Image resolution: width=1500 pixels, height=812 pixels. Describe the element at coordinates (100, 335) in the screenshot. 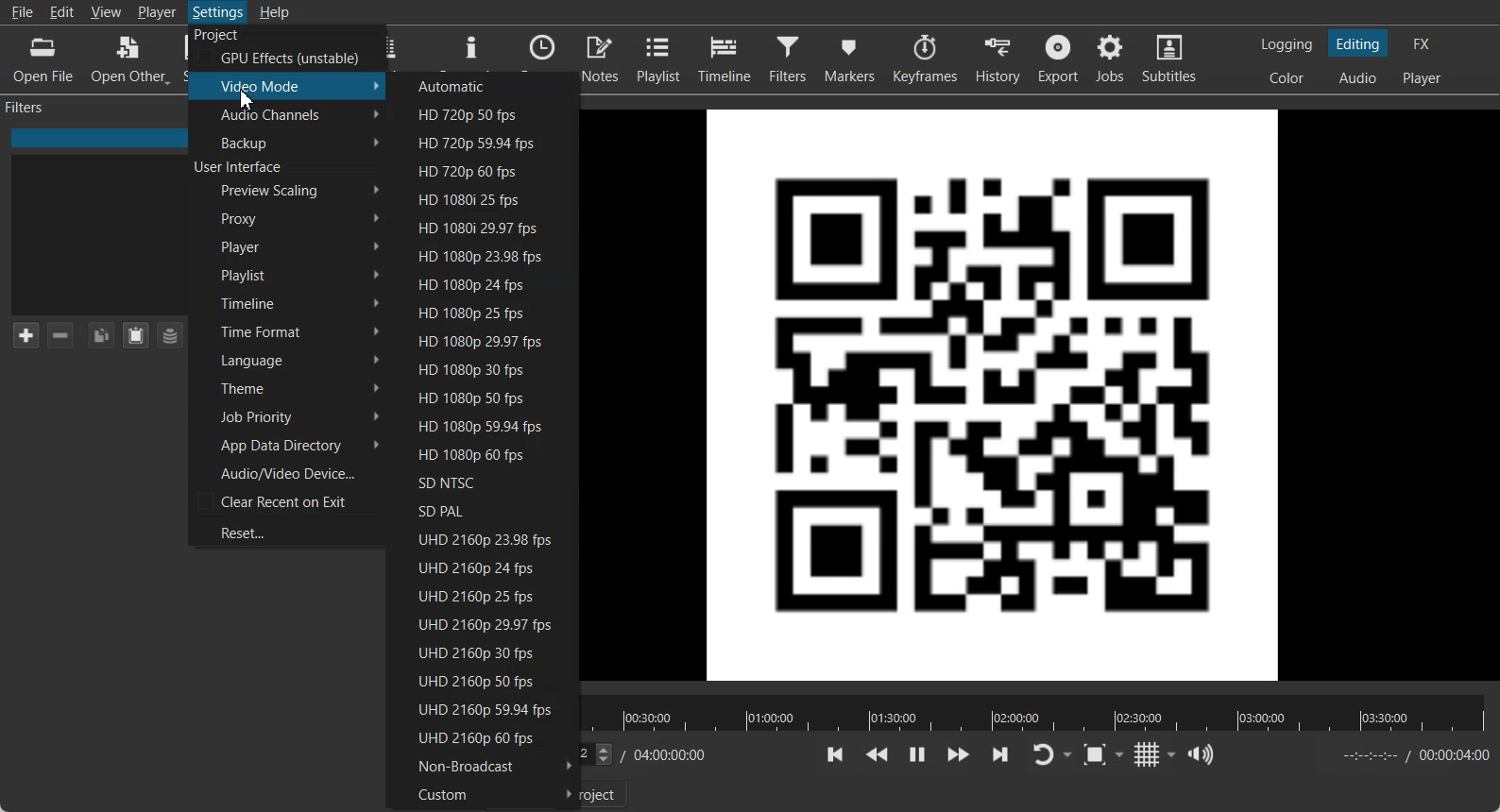

I see `Copy Filter` at that location.